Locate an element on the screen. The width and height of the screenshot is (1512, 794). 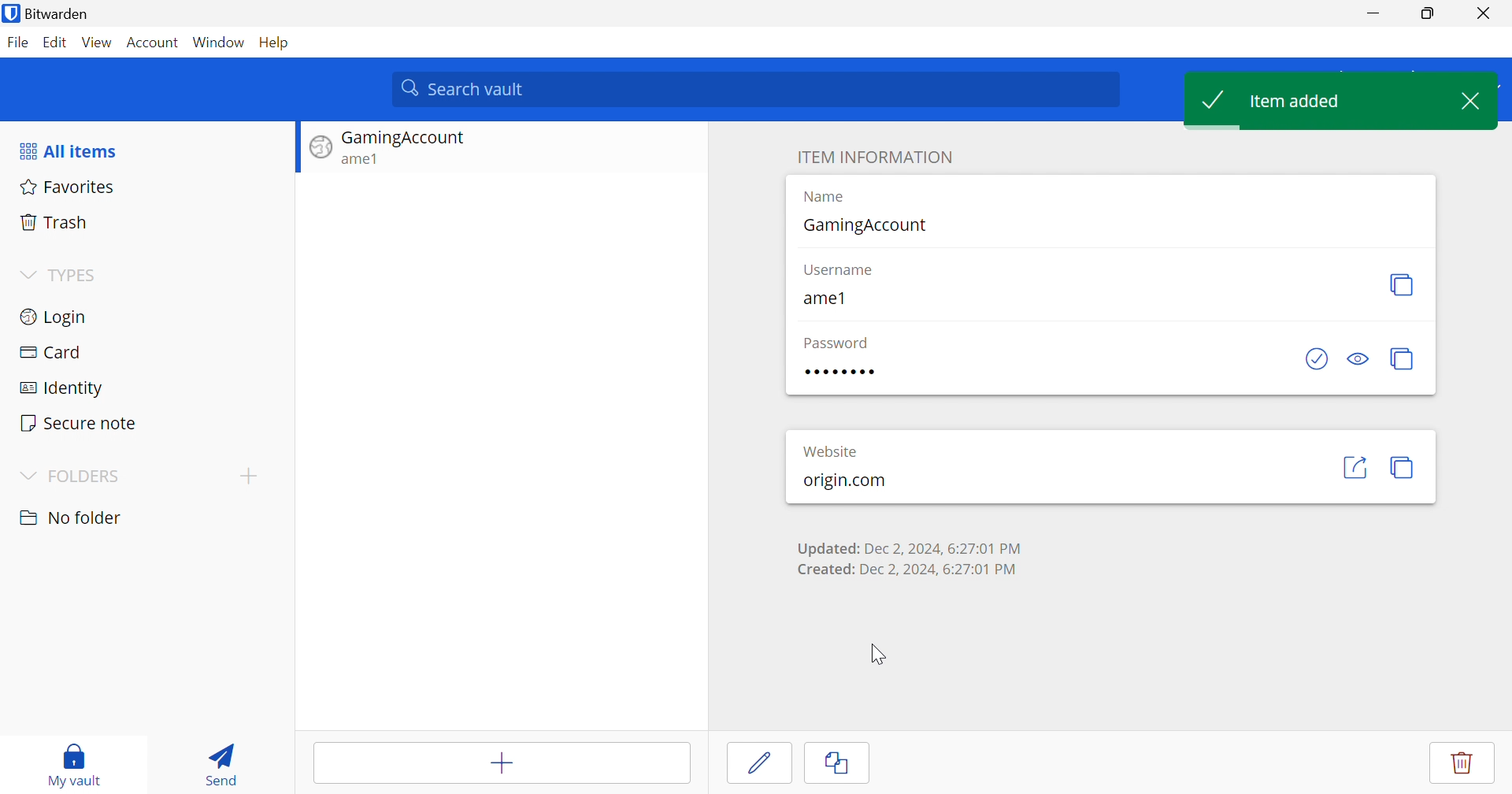
Check is password has been exposed is located at coordinates (1313, 358).